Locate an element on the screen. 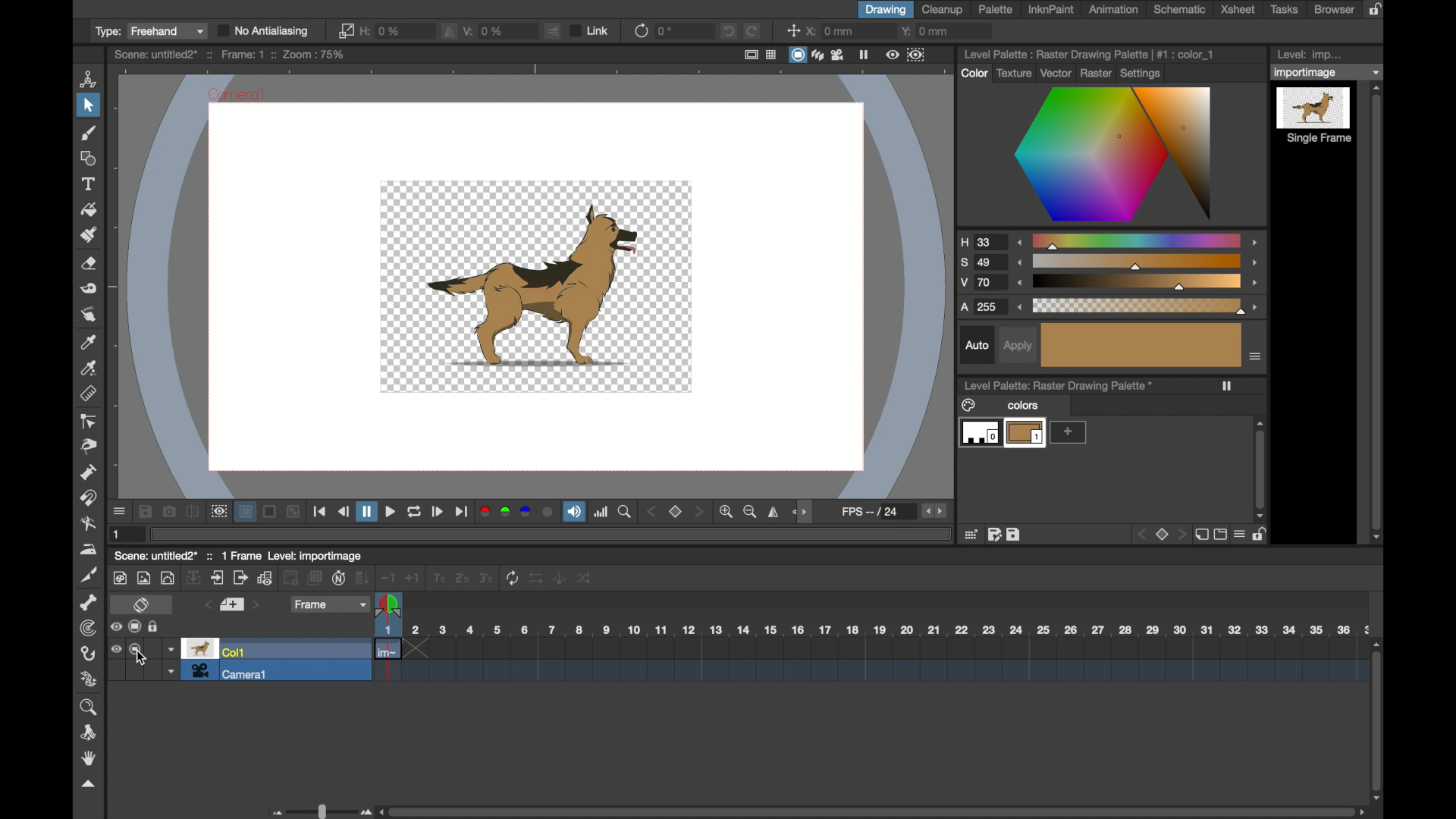 The height and width of the screenshot is (819, 1456). S is located at coordinates (981, 263).